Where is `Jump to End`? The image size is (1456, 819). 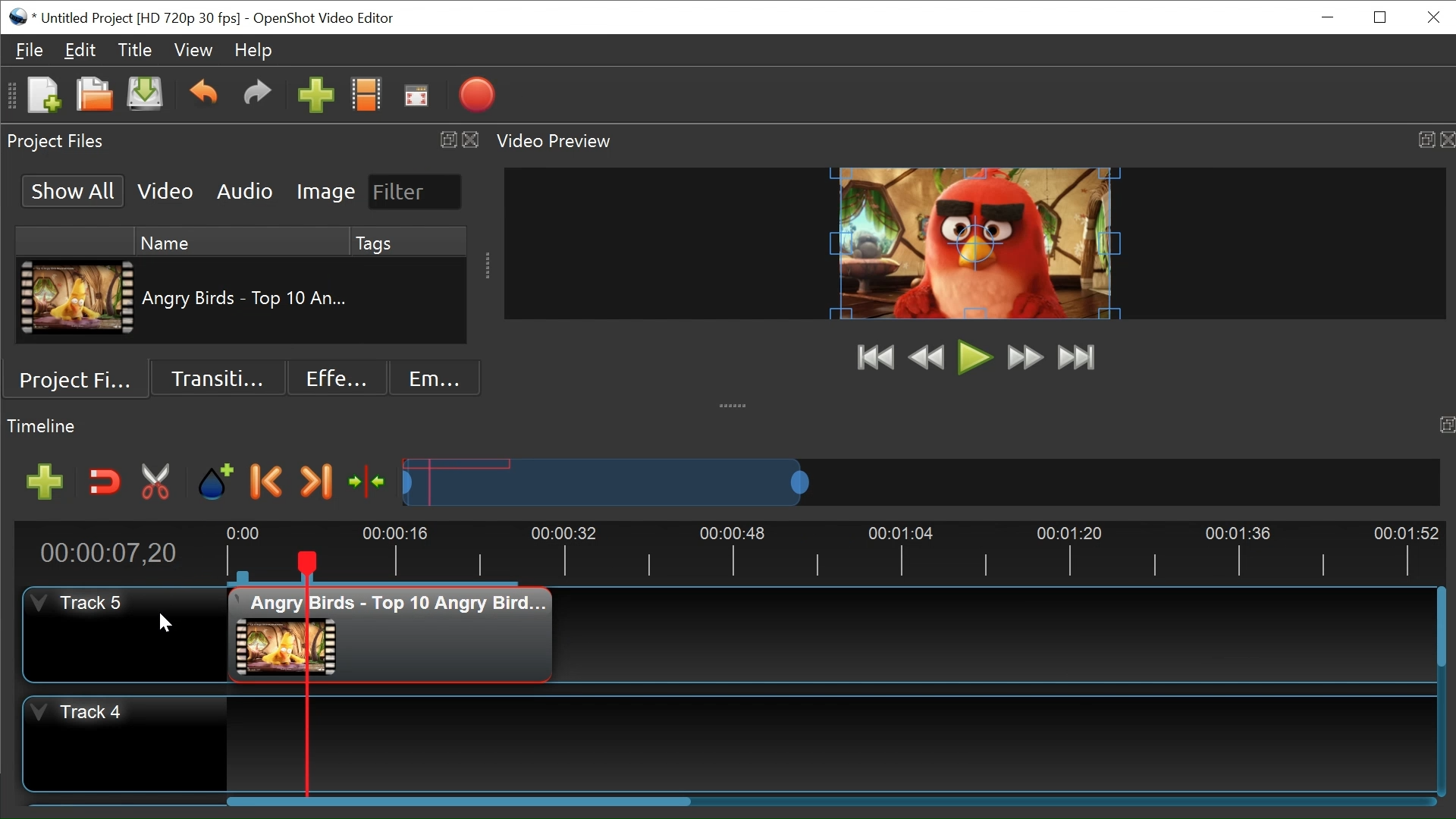
Jump to End is located at coordinates (1078, 359).